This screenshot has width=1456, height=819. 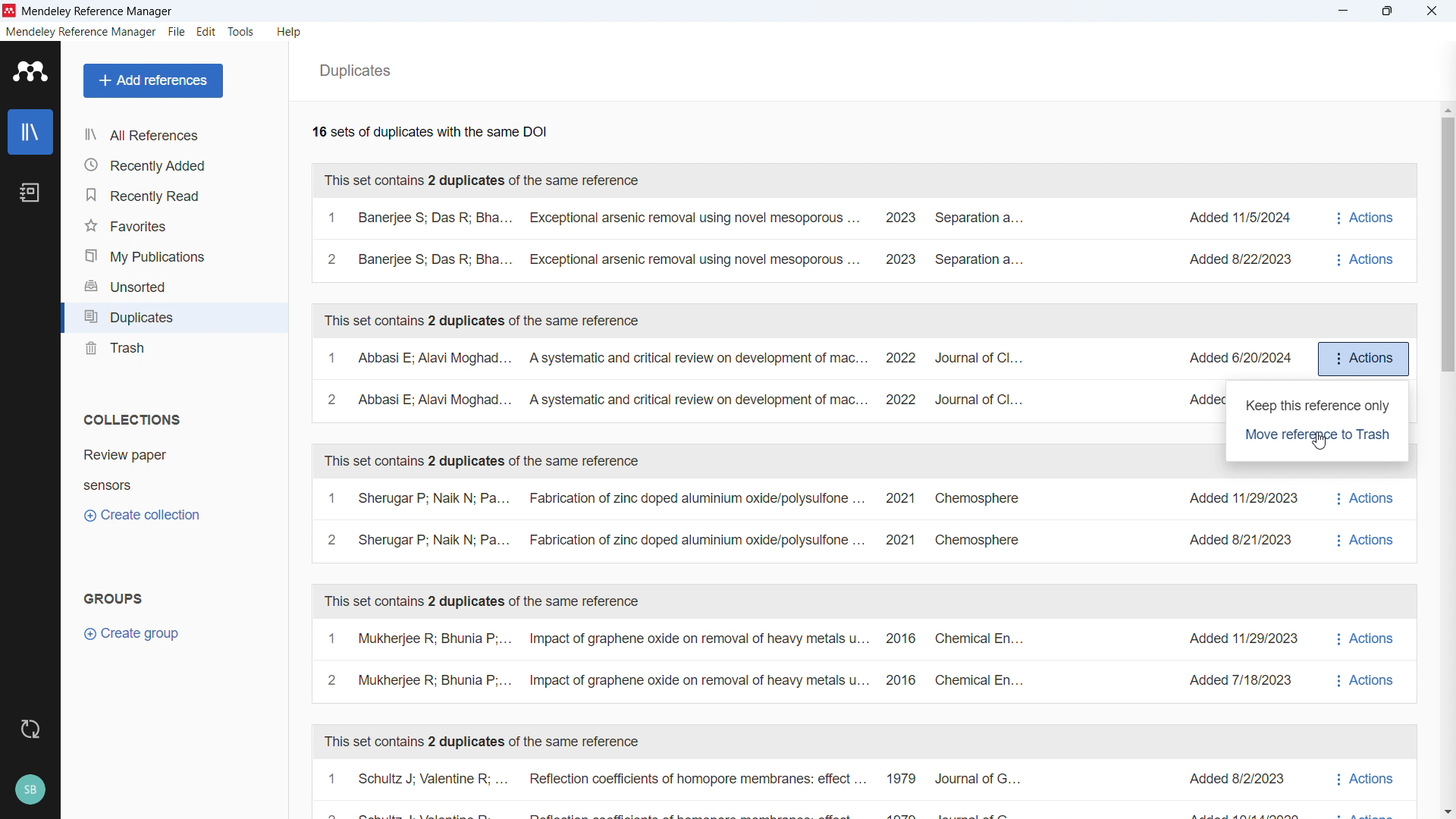 I want to click on actions, so click(x=1363, y=519).